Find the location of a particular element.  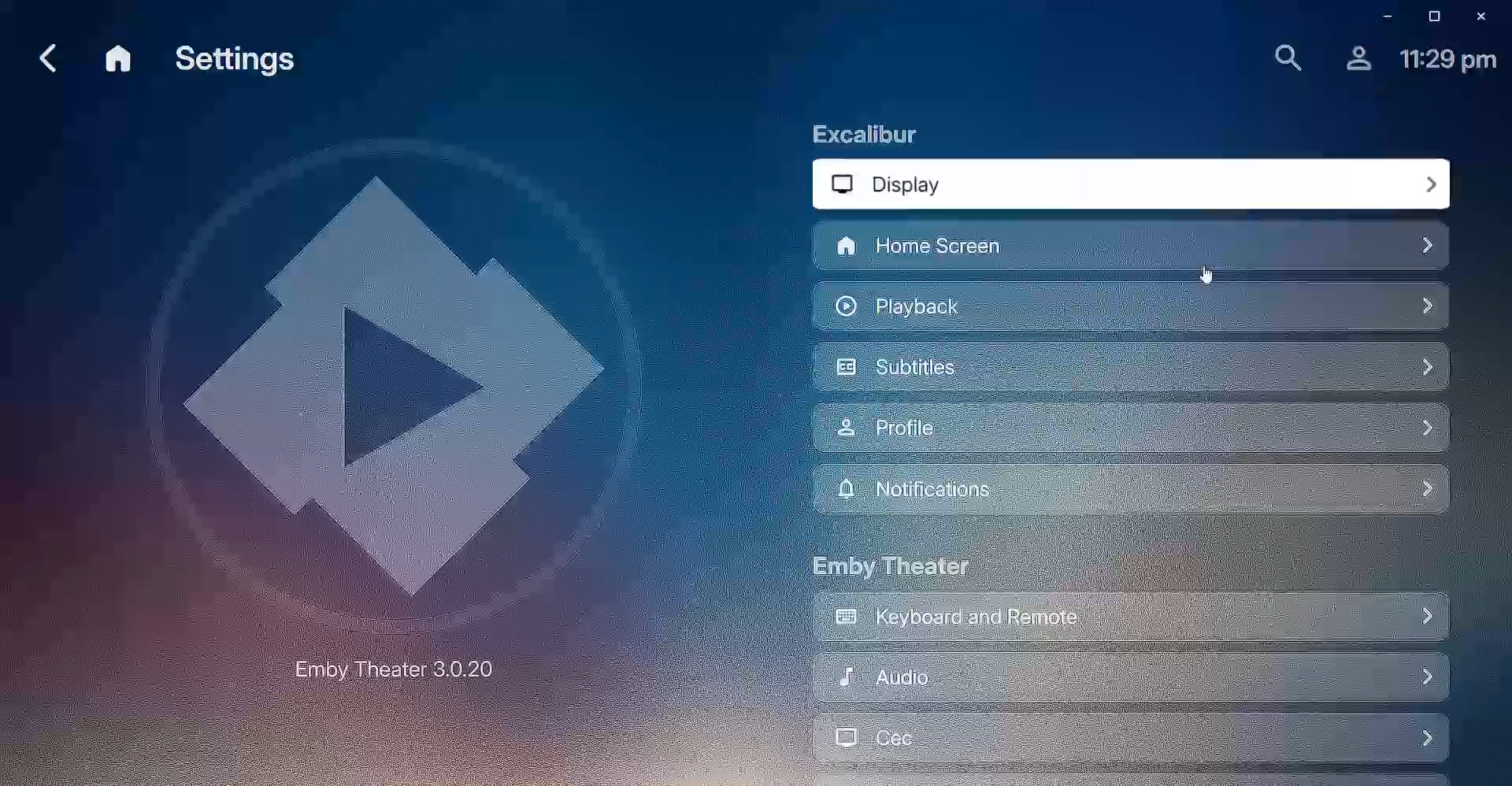

Emby Theater is located at coordinates (897, 564).